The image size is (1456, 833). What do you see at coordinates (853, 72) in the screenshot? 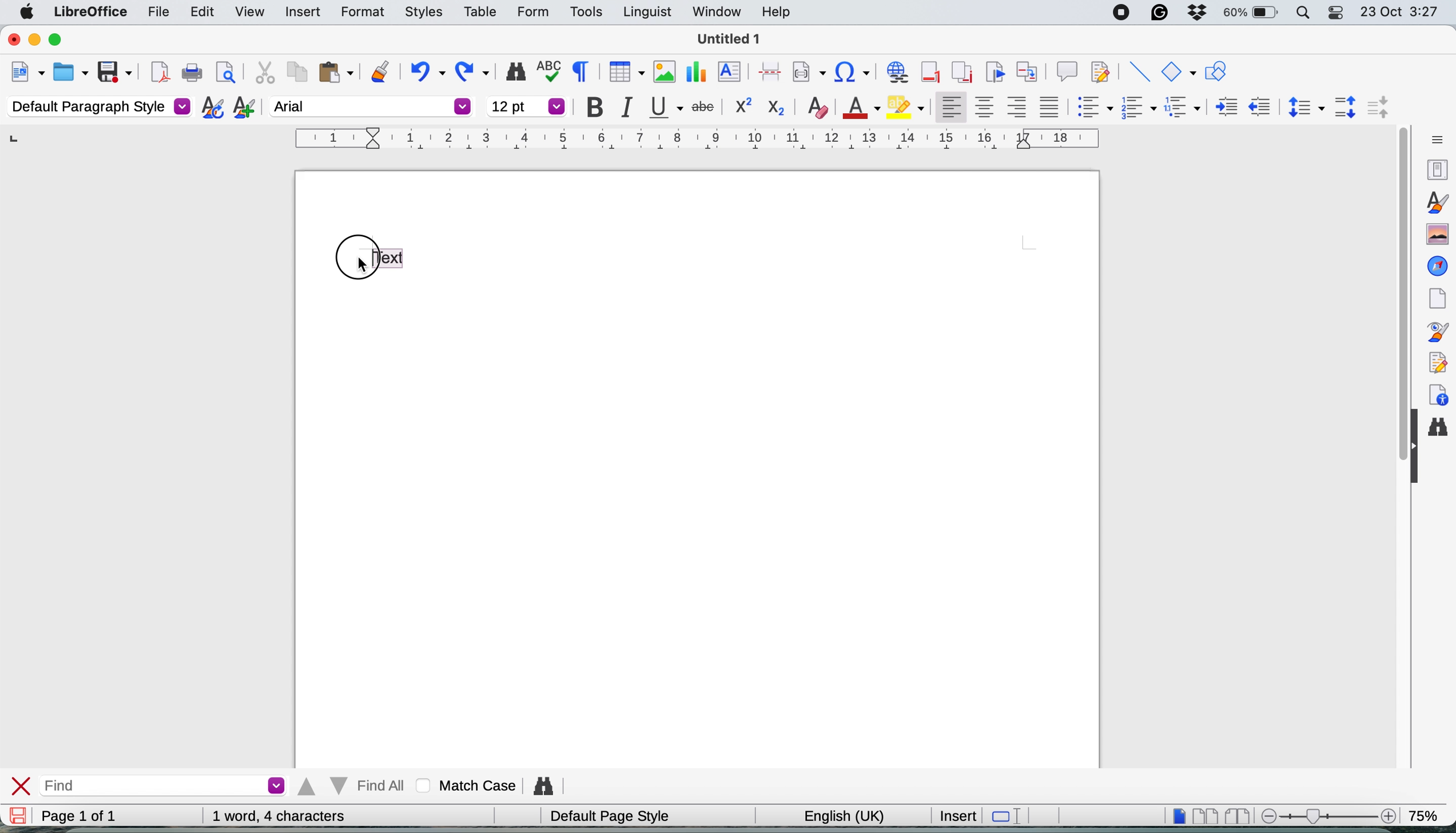
I see `insert hyperlink` at bounding box center [853, 72].